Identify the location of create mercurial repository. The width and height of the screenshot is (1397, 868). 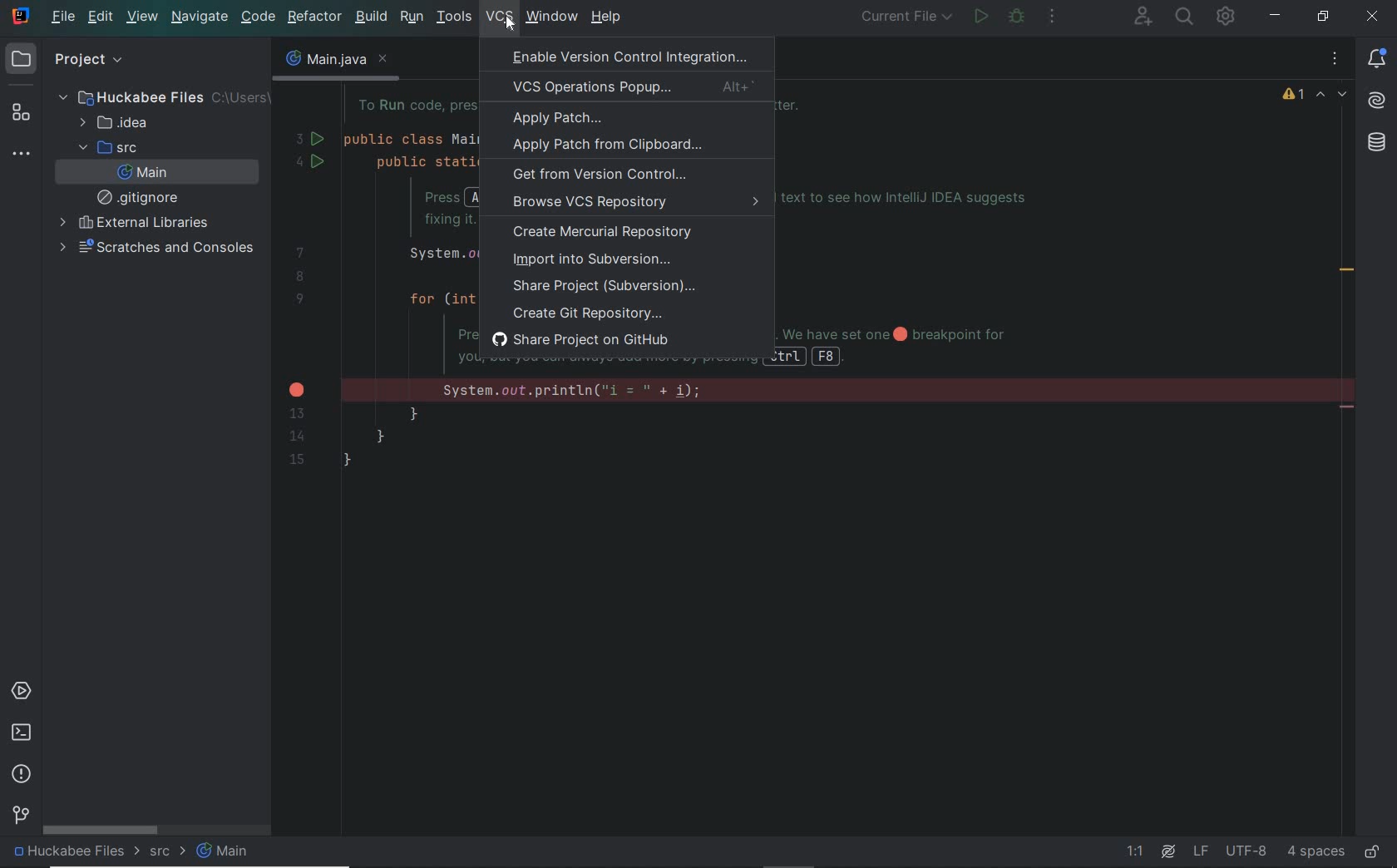
(607, 234).